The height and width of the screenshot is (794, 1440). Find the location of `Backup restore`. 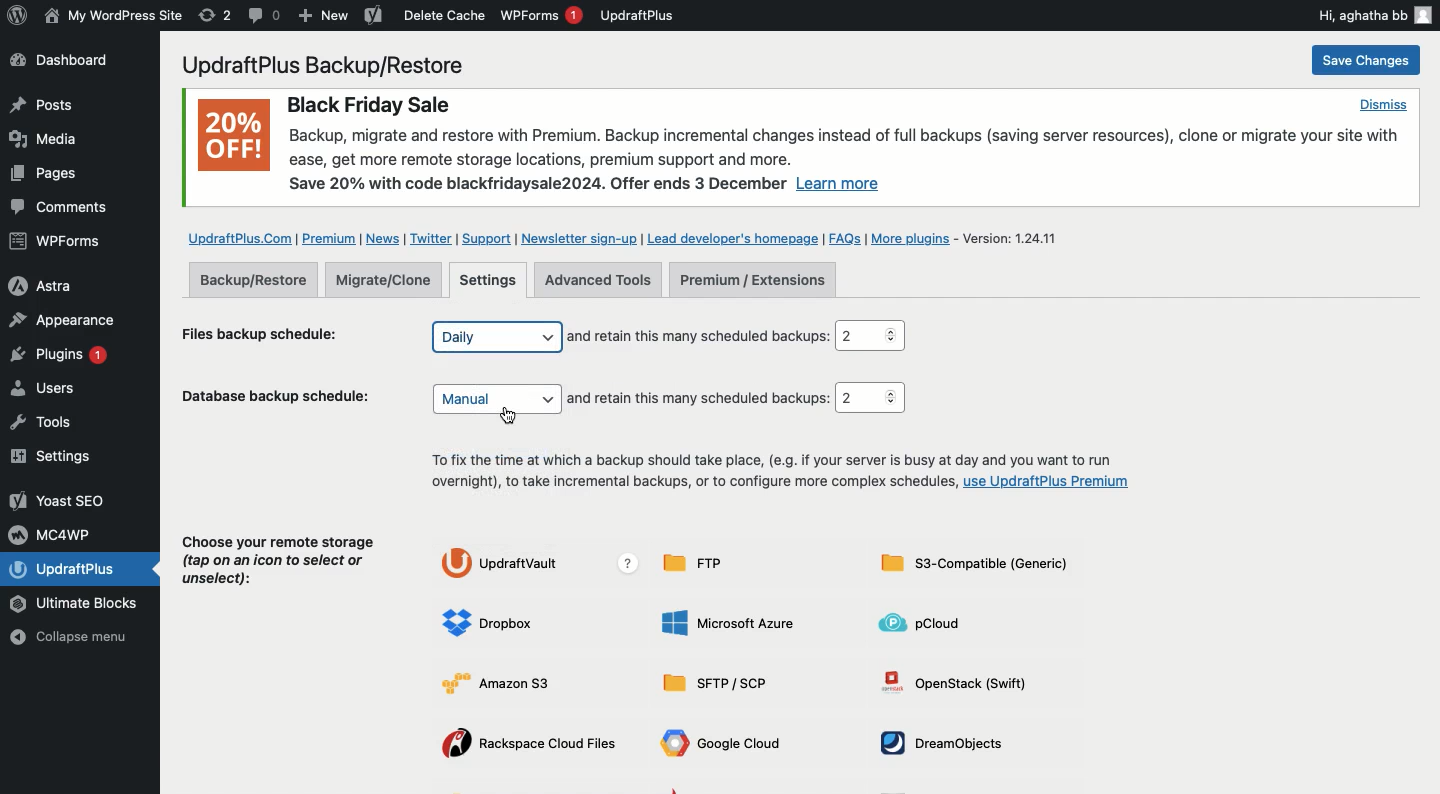

Backup restore is located at coordinates (253, 279).